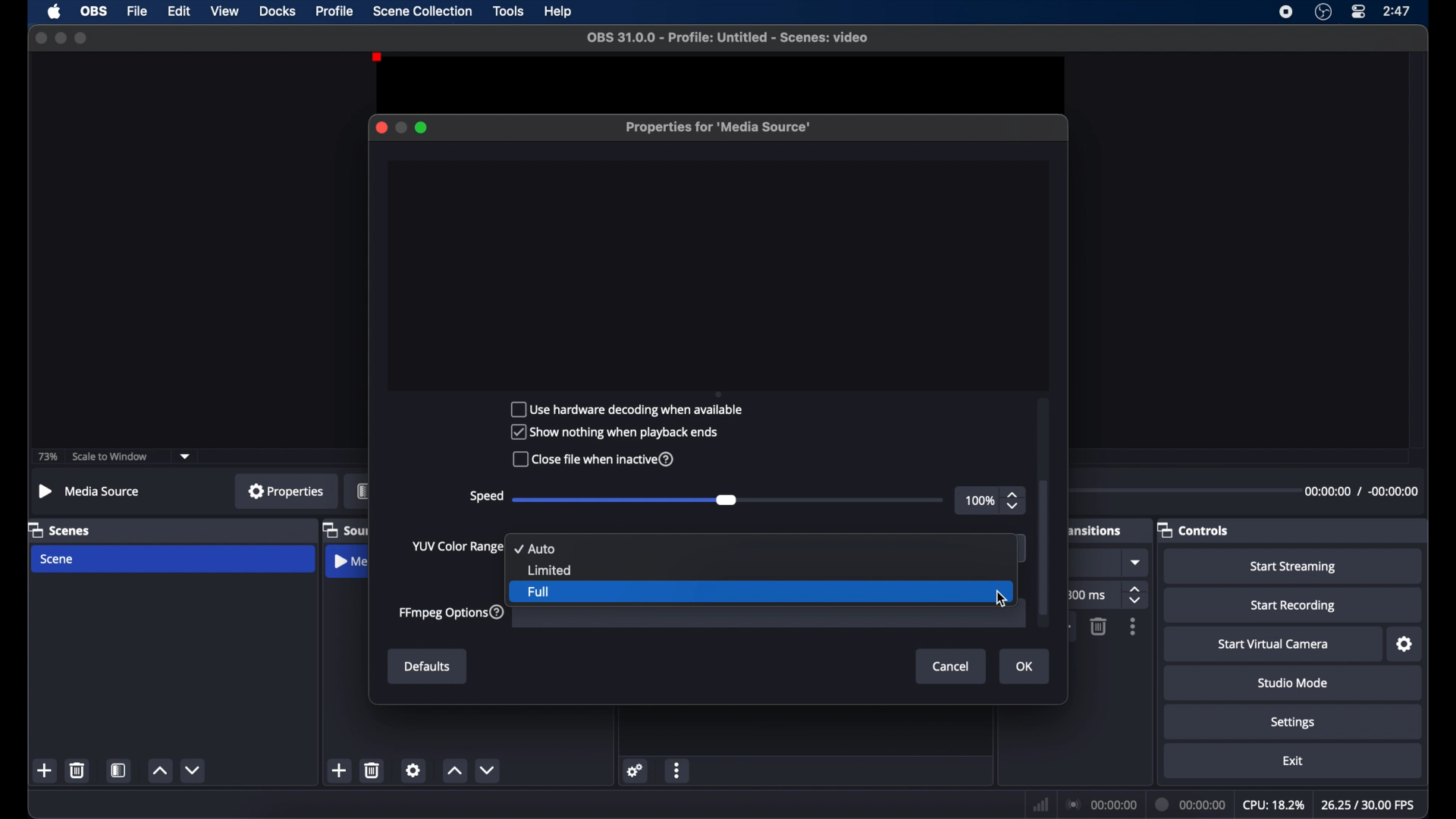 The height and width of the screenshot is (819, 1456). Describe the element at coordinates (1023, 667) in the screenshot. I see `Ok` at that location.